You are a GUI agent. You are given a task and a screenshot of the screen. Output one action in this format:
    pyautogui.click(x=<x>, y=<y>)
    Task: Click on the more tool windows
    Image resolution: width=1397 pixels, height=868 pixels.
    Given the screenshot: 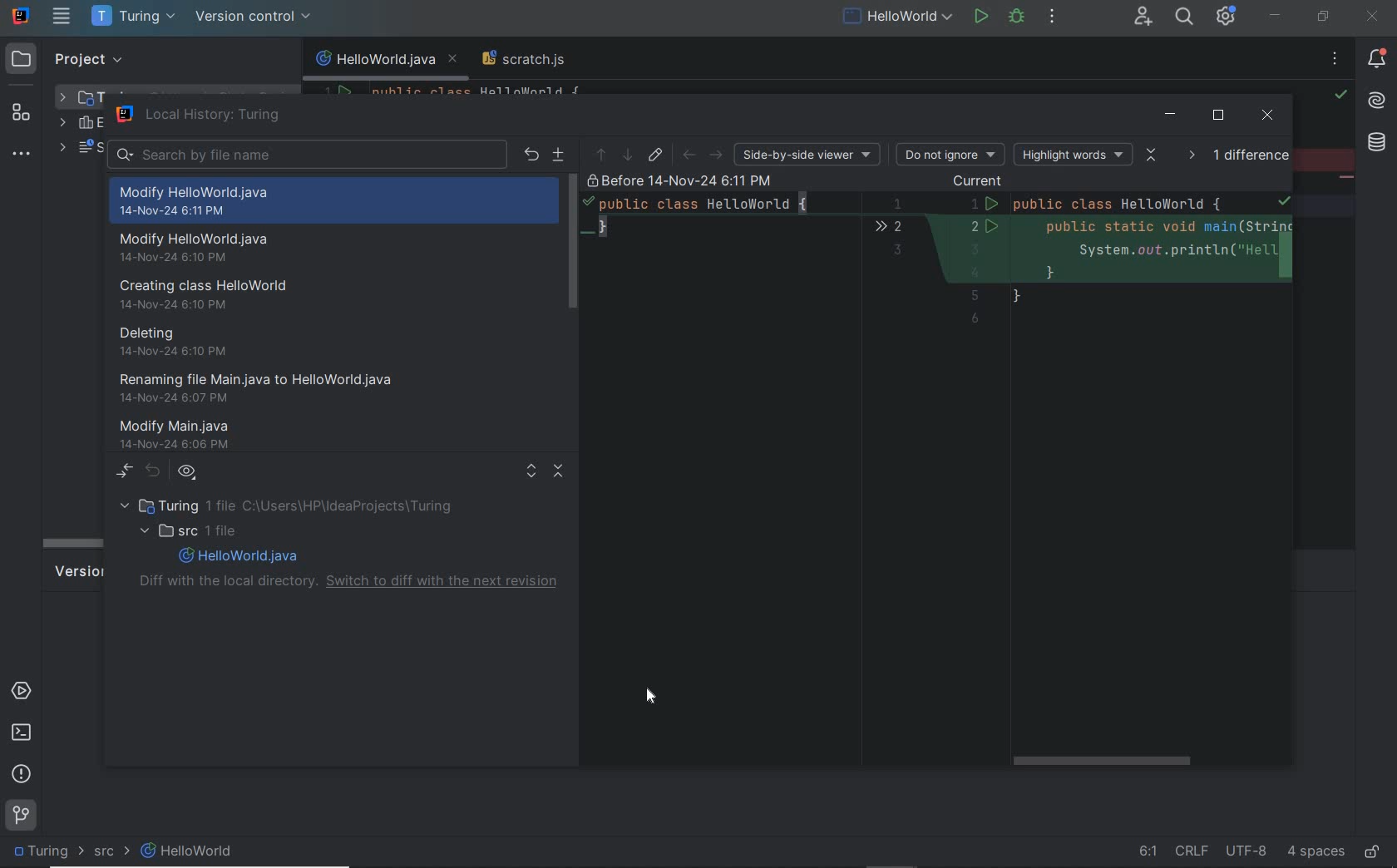 What is the action you would take?
    pyautogui.click(x=22, y=154)
    